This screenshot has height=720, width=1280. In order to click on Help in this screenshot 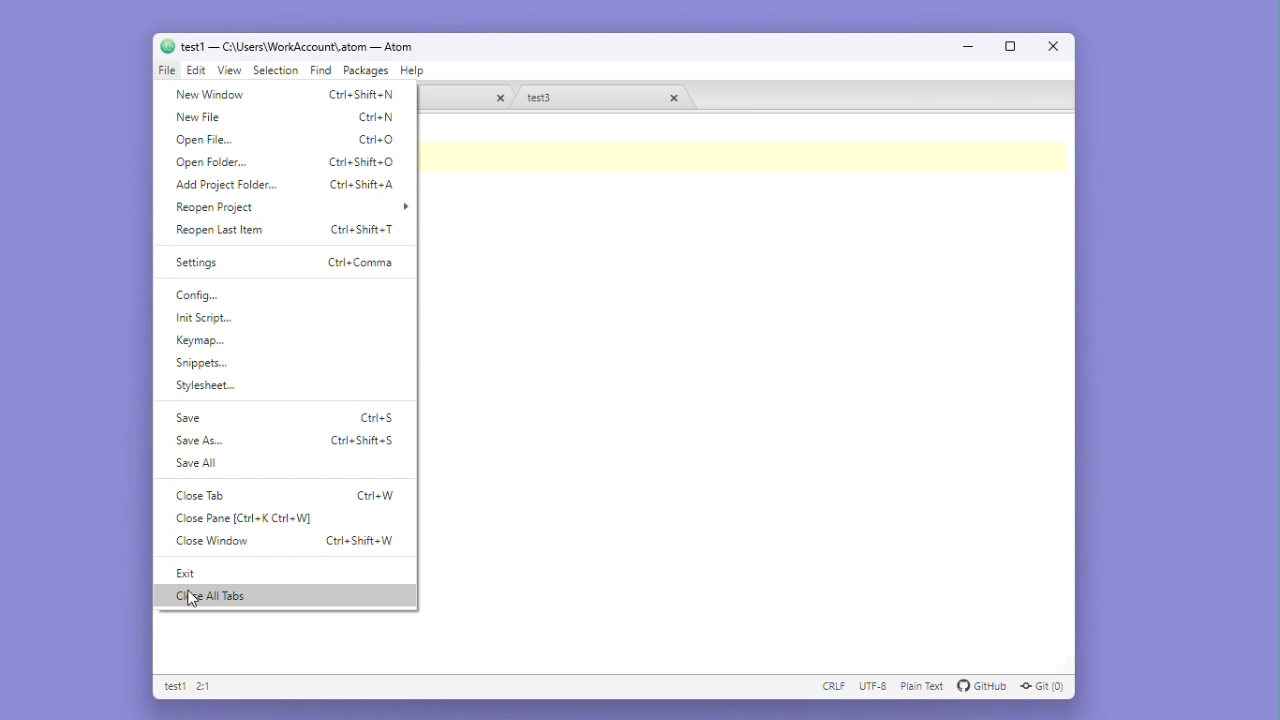, I will do `click(411, 70)`.